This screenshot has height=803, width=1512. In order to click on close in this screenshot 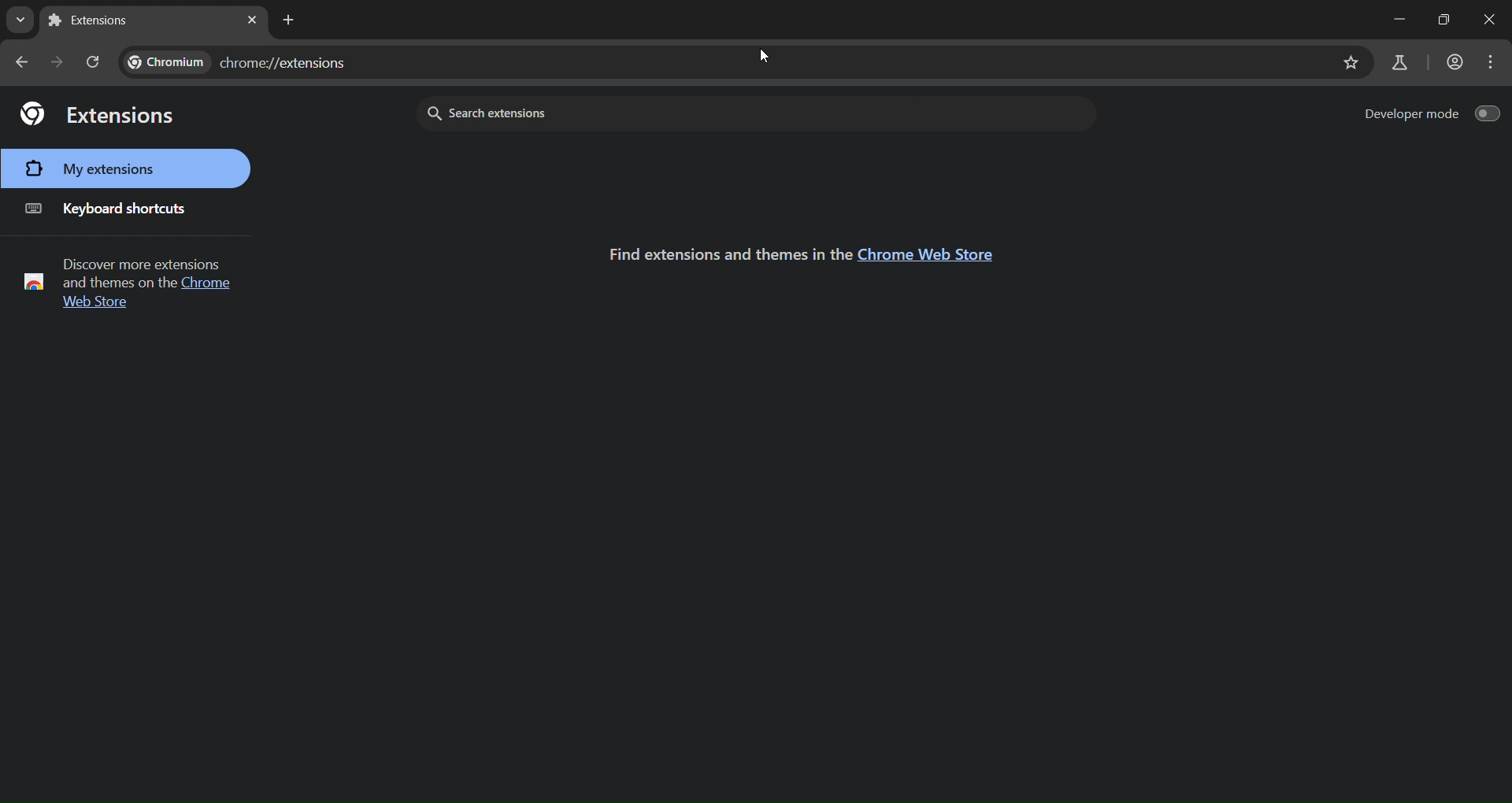, I will do `click(1446, 17)`.